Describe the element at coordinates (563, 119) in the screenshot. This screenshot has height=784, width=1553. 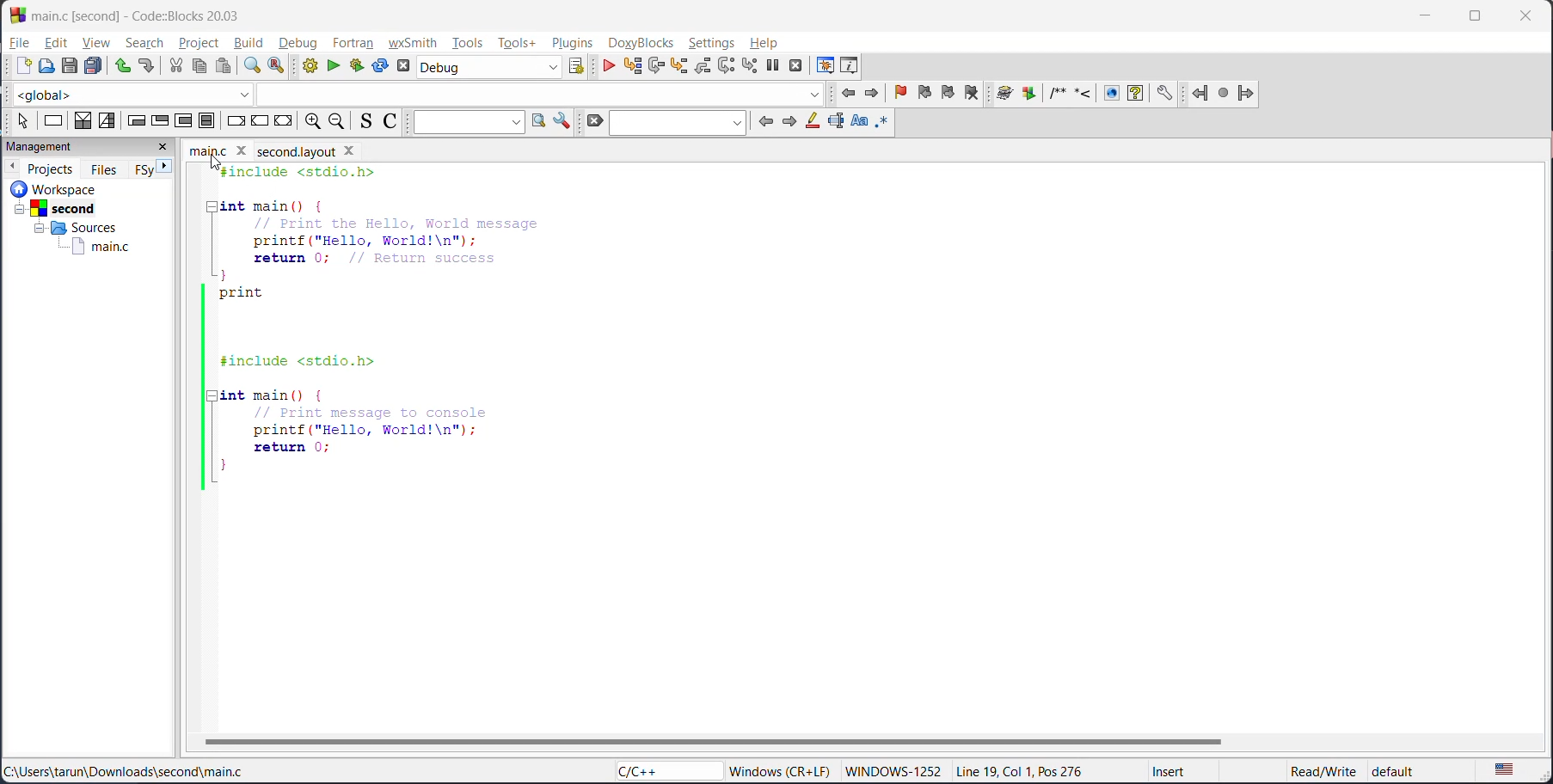
I see `show options window` at that location.